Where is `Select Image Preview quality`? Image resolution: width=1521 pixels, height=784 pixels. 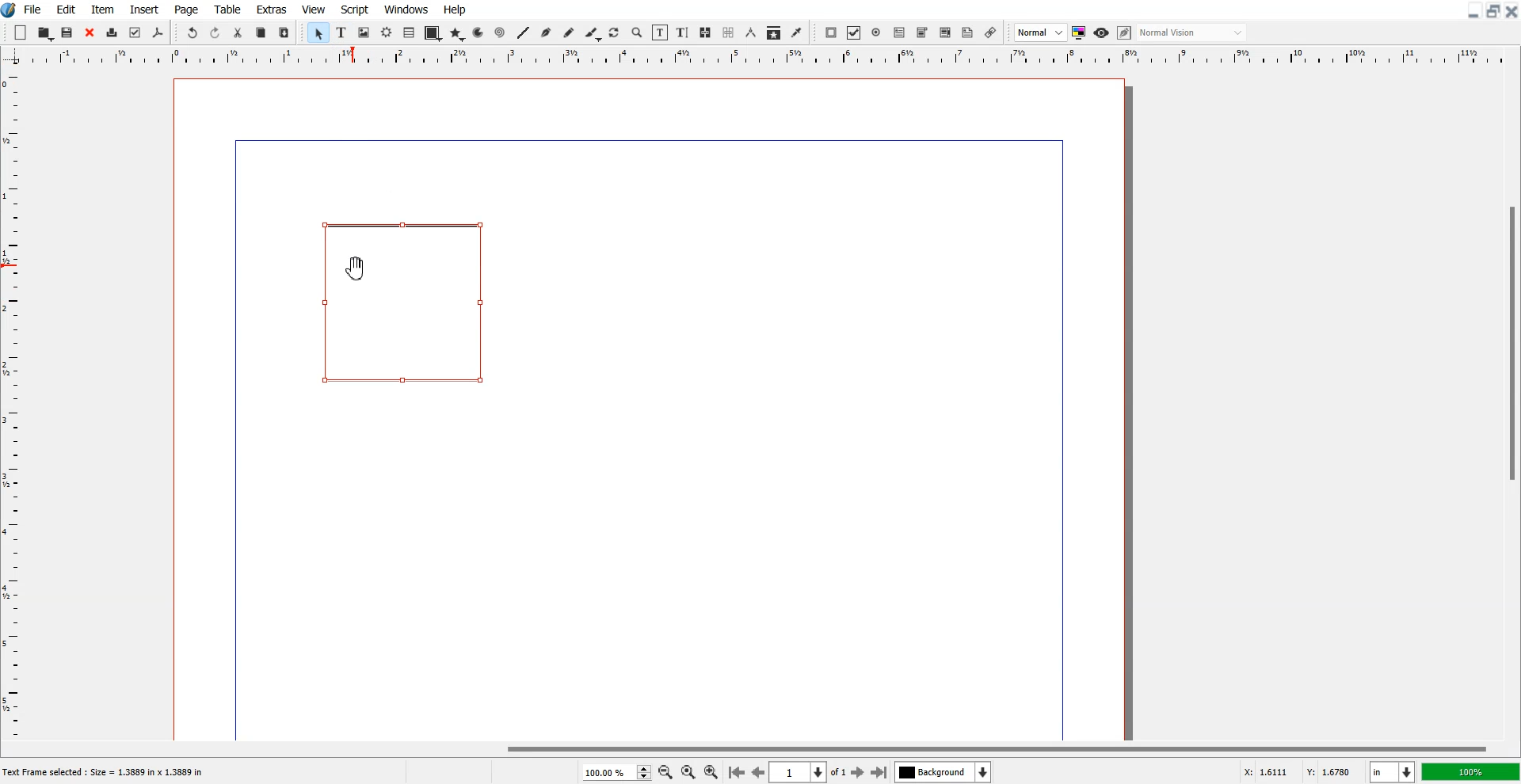 Select Image Preview quality is located at coordinates (1041, 32).